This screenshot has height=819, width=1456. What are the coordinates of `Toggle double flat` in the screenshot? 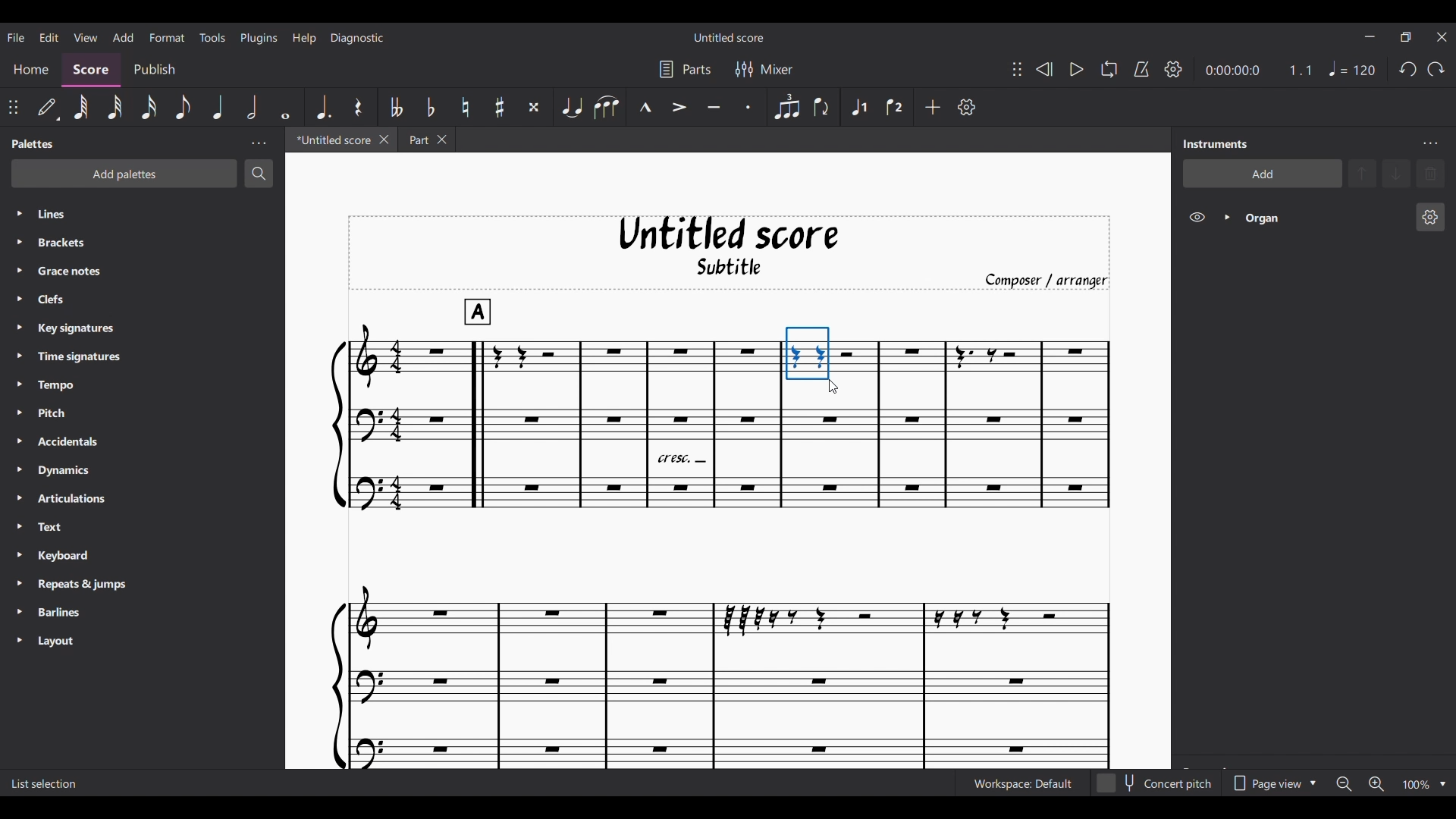 It's located at (397, 107).